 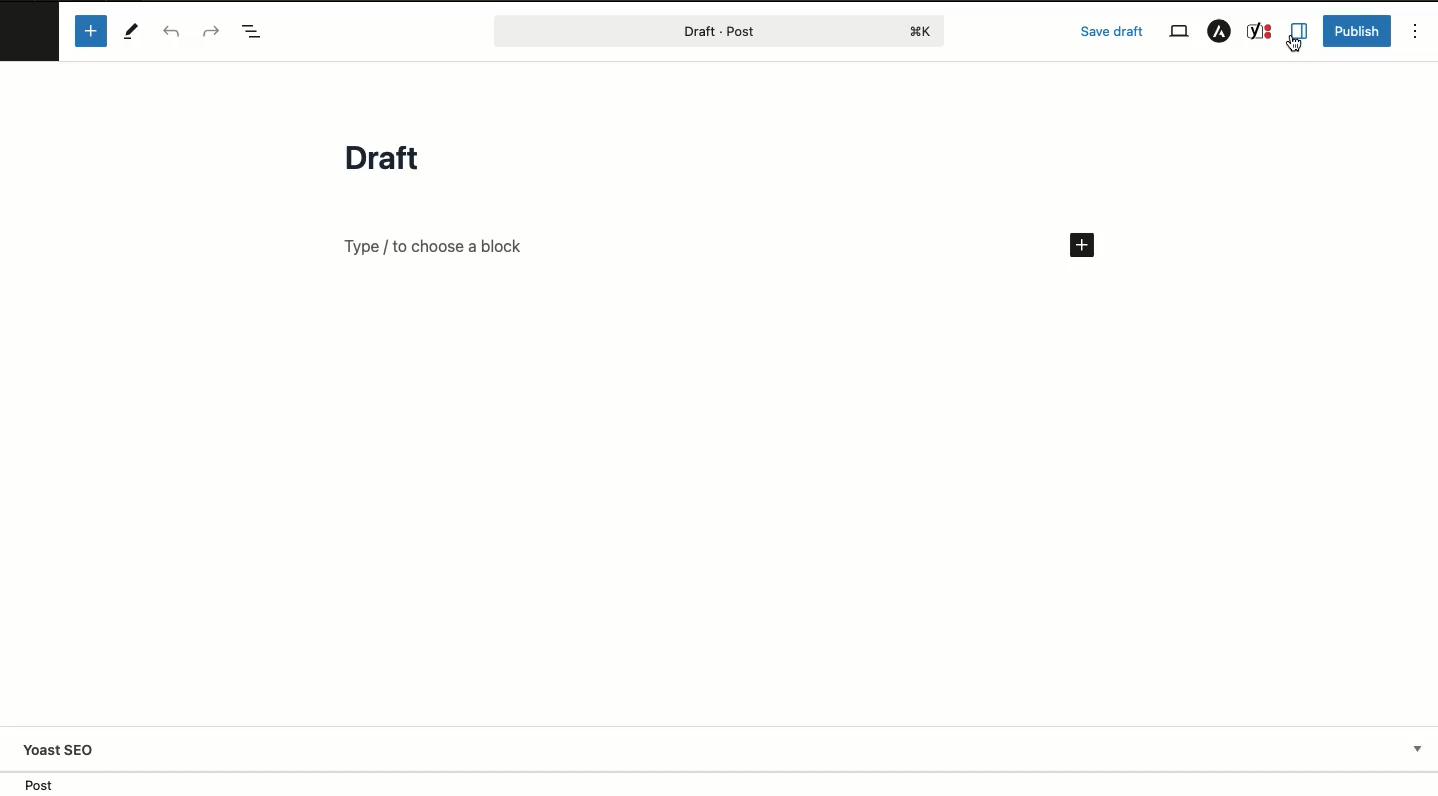 What do you see at coordinates (257, 31) in the screenshot?
I see `Doc overview ` at bounding box center [257, 31].